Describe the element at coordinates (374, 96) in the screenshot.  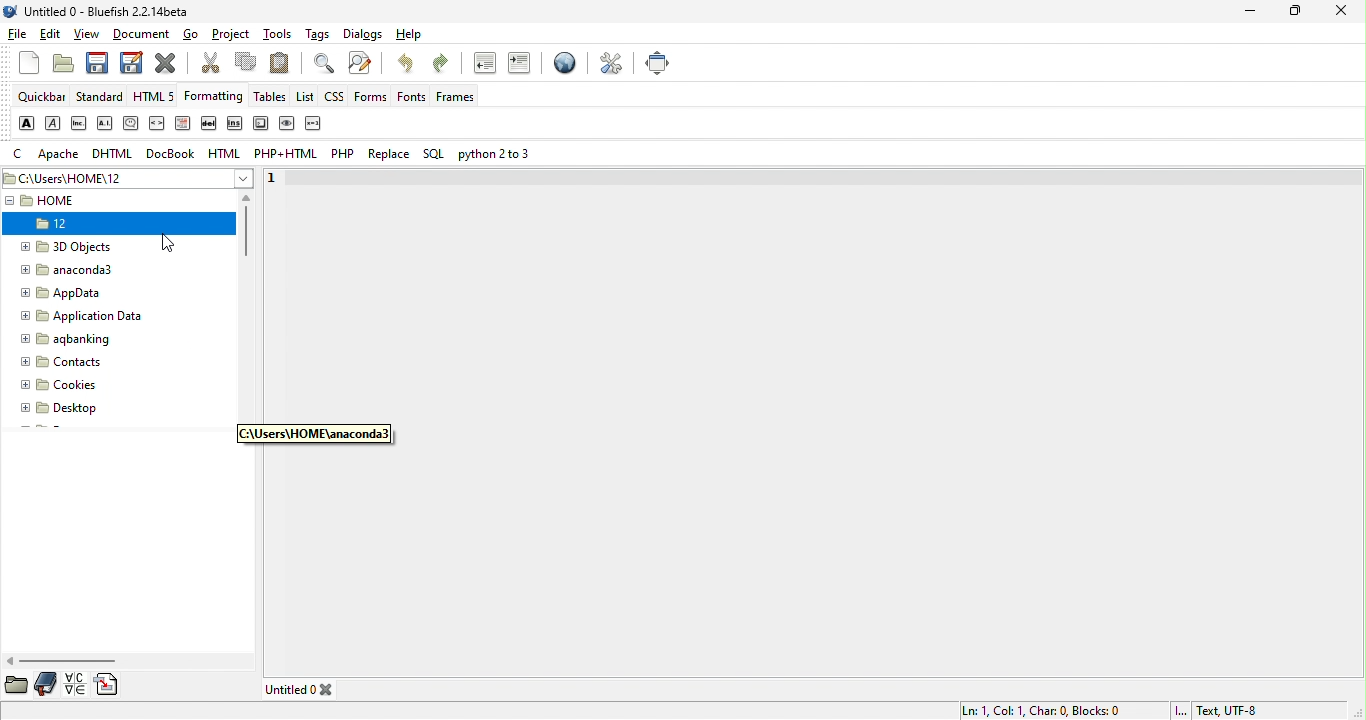
I see `forms` at that location.